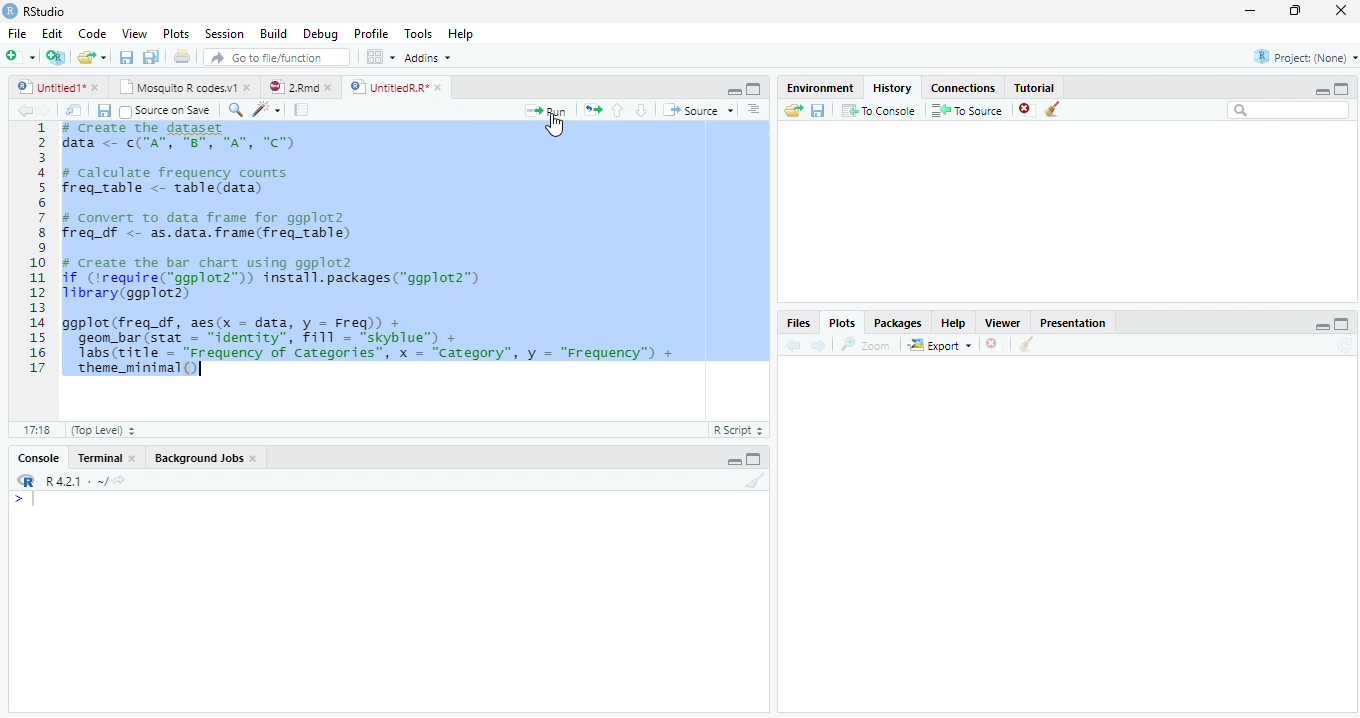  What do you see at coordinates (34, 10) in the screenshot?
I see `Rstudio` at bounding box center [34, 10].